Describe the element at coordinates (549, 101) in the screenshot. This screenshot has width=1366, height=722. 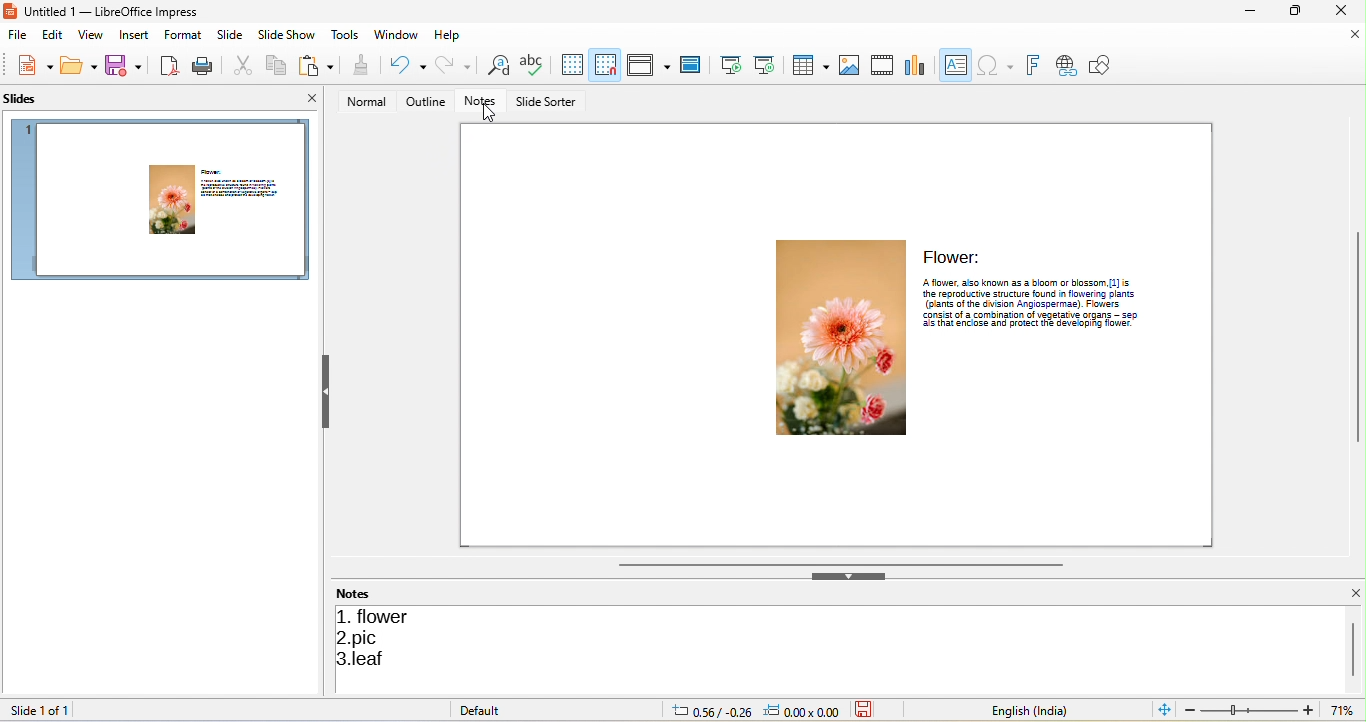
I see `slide sorter` at that location.